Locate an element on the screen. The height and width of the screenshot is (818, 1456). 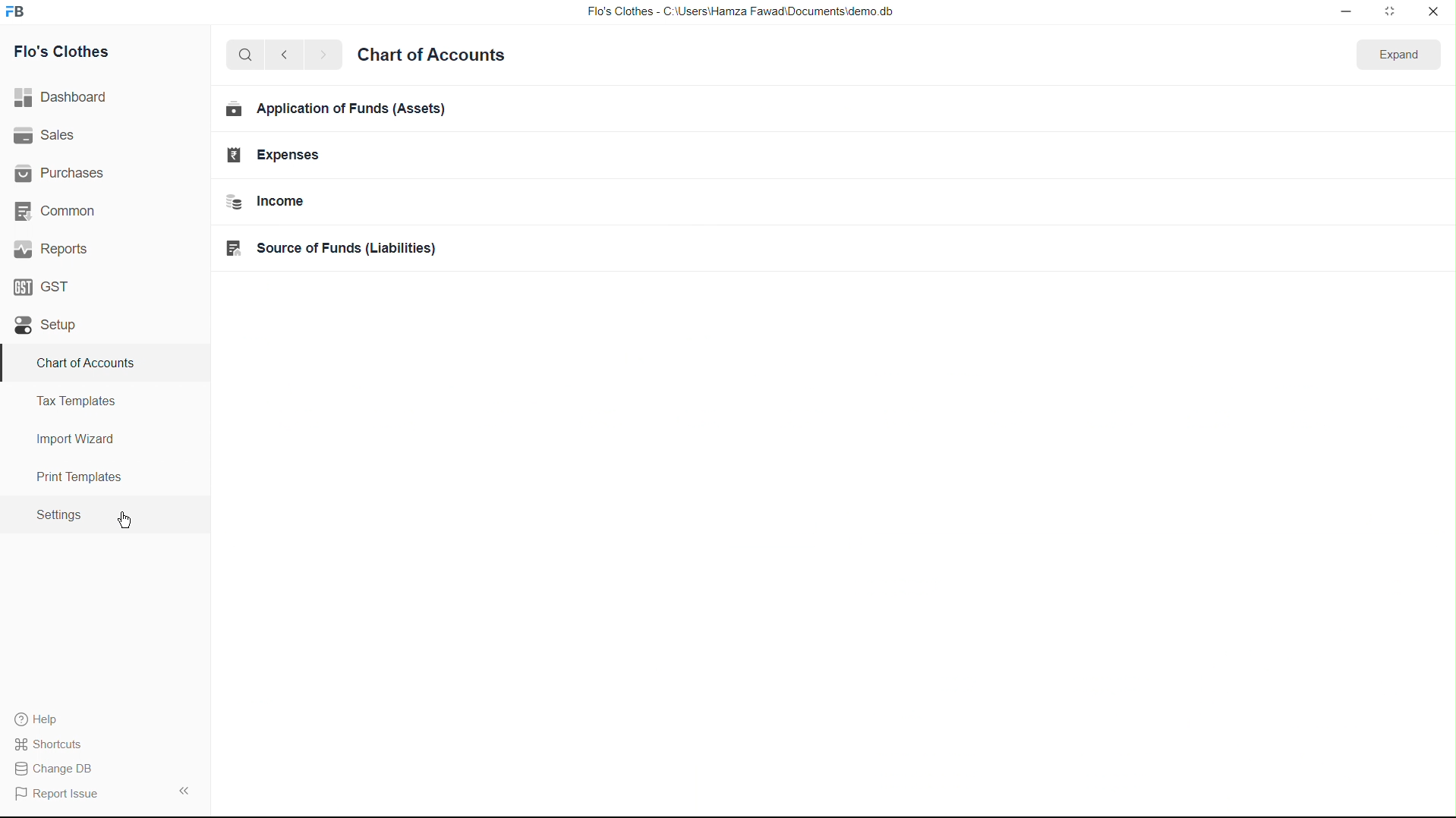
Help is located at coordinates (43, 719).